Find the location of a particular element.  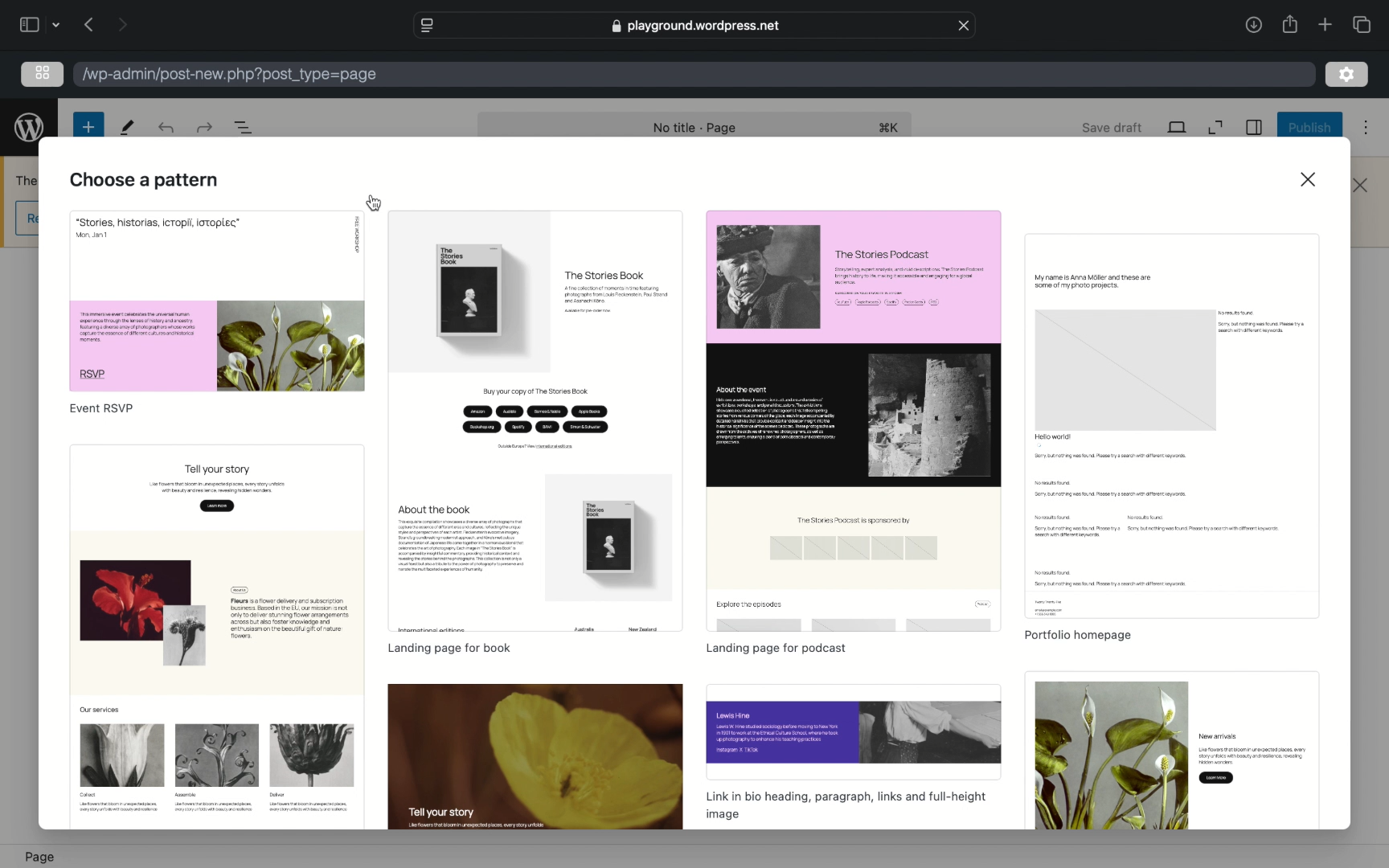

page is located at coordinates (43, 858).